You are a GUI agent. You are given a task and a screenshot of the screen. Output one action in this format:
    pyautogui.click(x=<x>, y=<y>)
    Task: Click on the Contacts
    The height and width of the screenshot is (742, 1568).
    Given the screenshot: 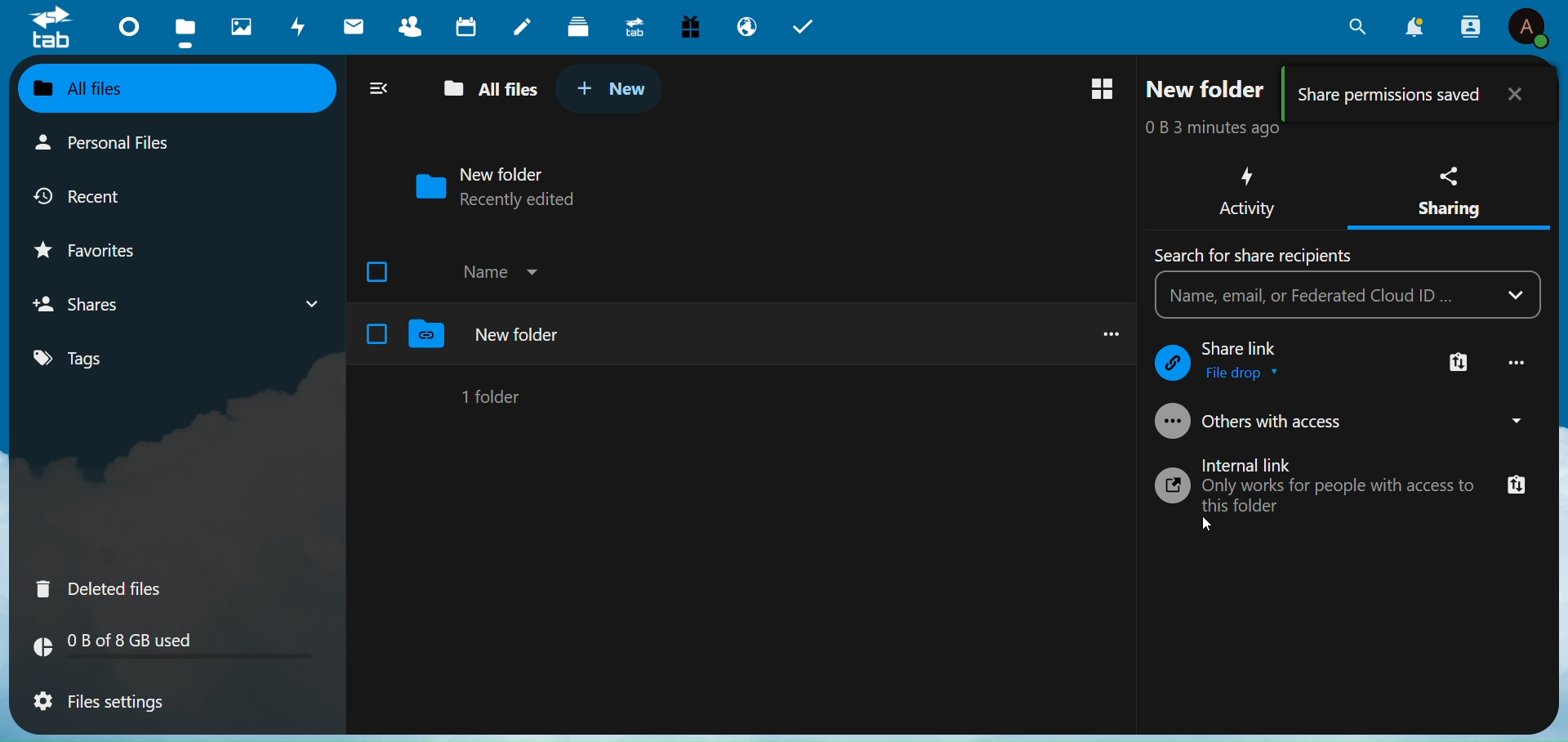 What is the action you would take?
    pyautogui.click(x=1471, y=25)
    